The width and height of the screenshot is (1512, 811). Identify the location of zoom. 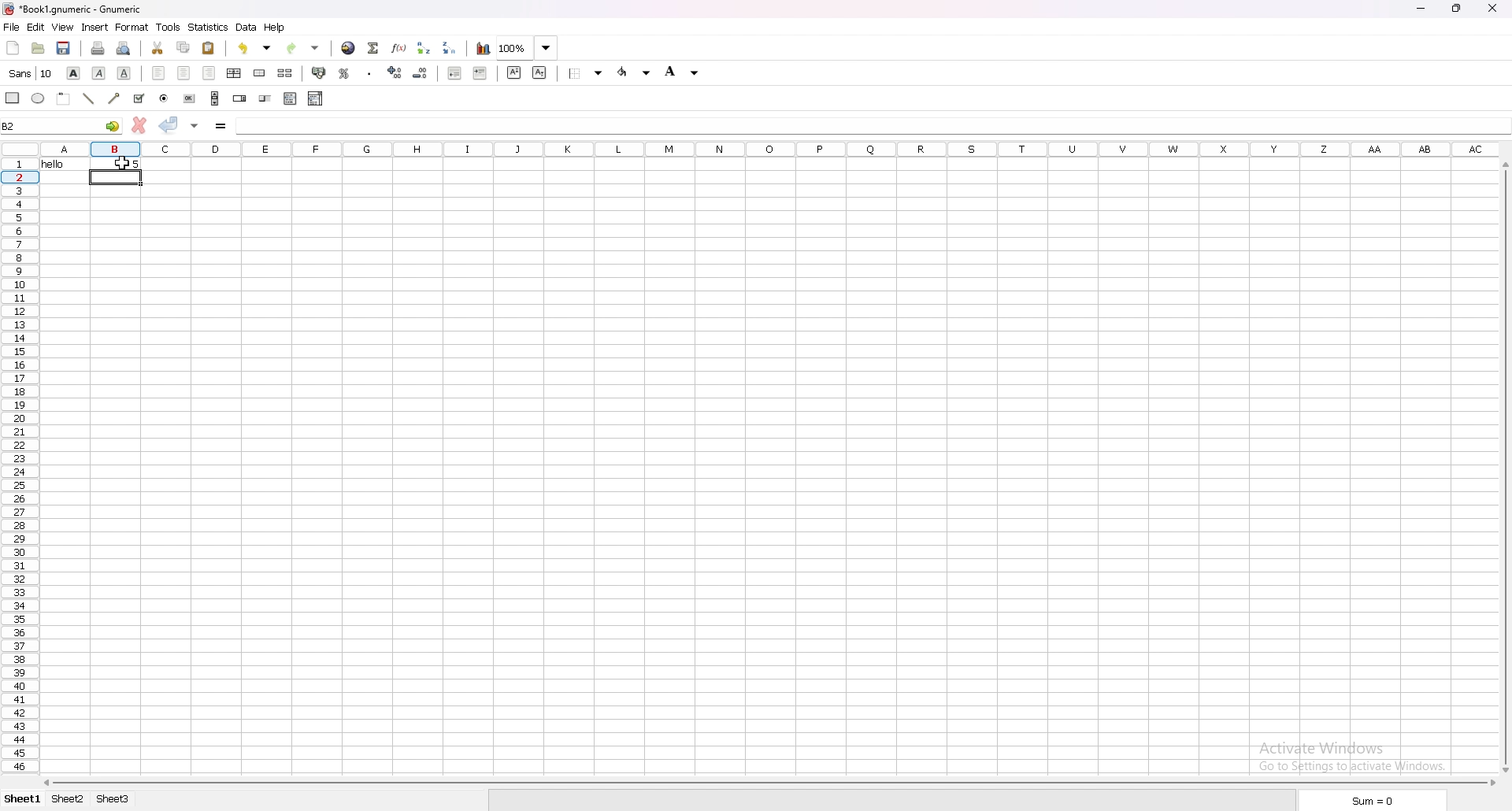
(528, 48).